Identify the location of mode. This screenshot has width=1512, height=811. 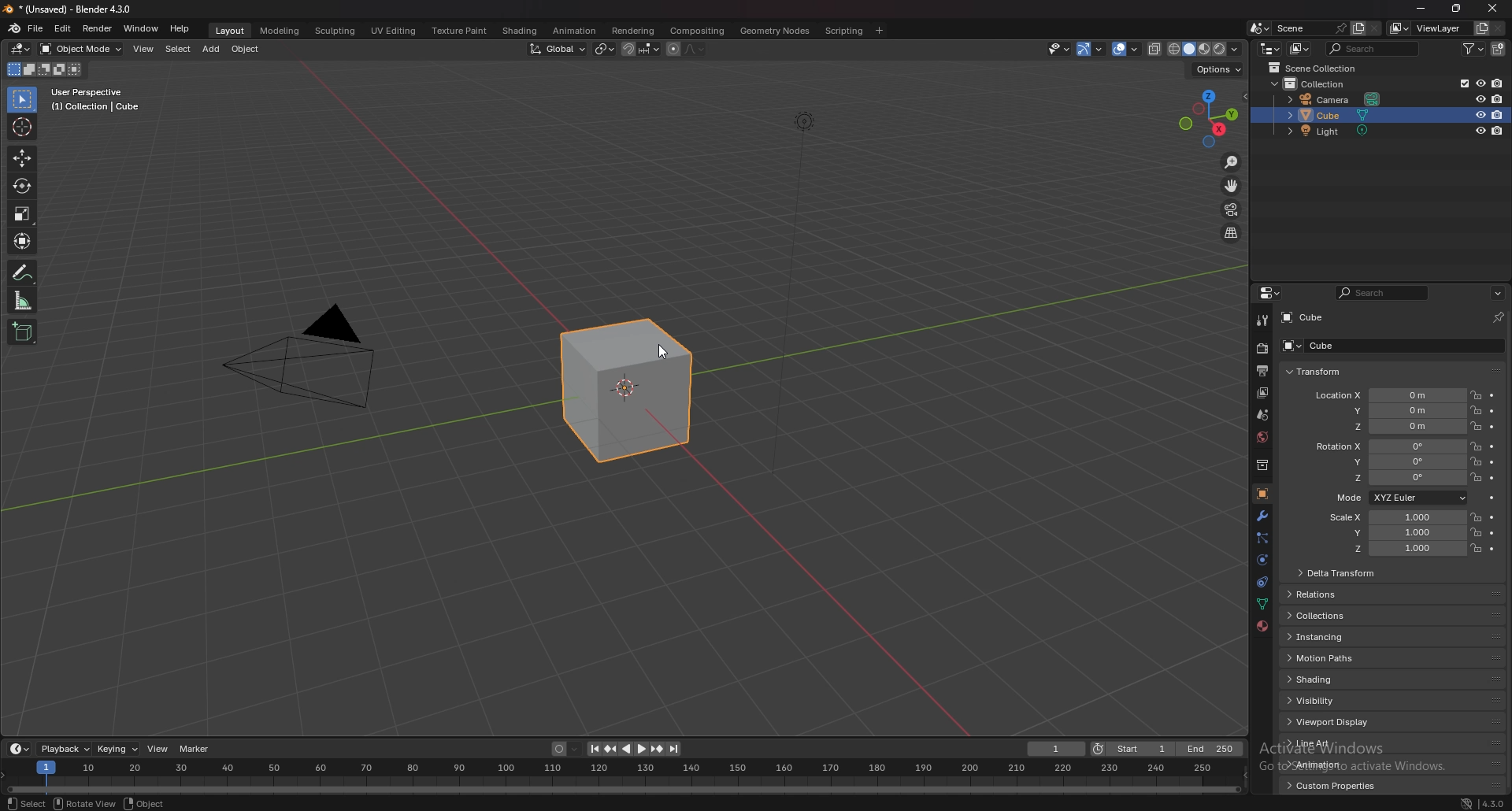
(1399, 498).